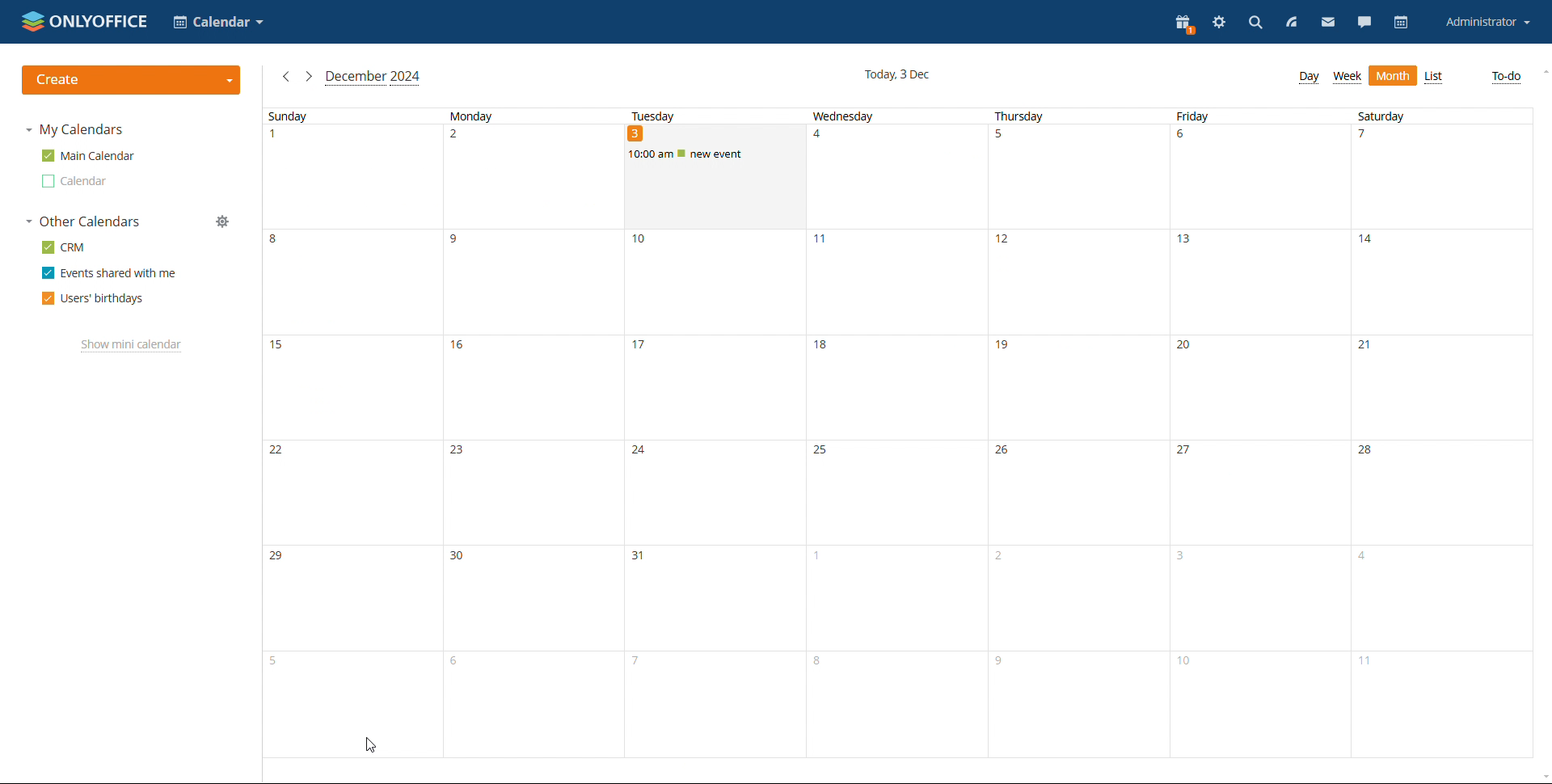 This screenshot has height=784, width=1552. What do you see at coordinates (895, 704) in the screenshot?
I see `8` at bounding box center [895, 704].